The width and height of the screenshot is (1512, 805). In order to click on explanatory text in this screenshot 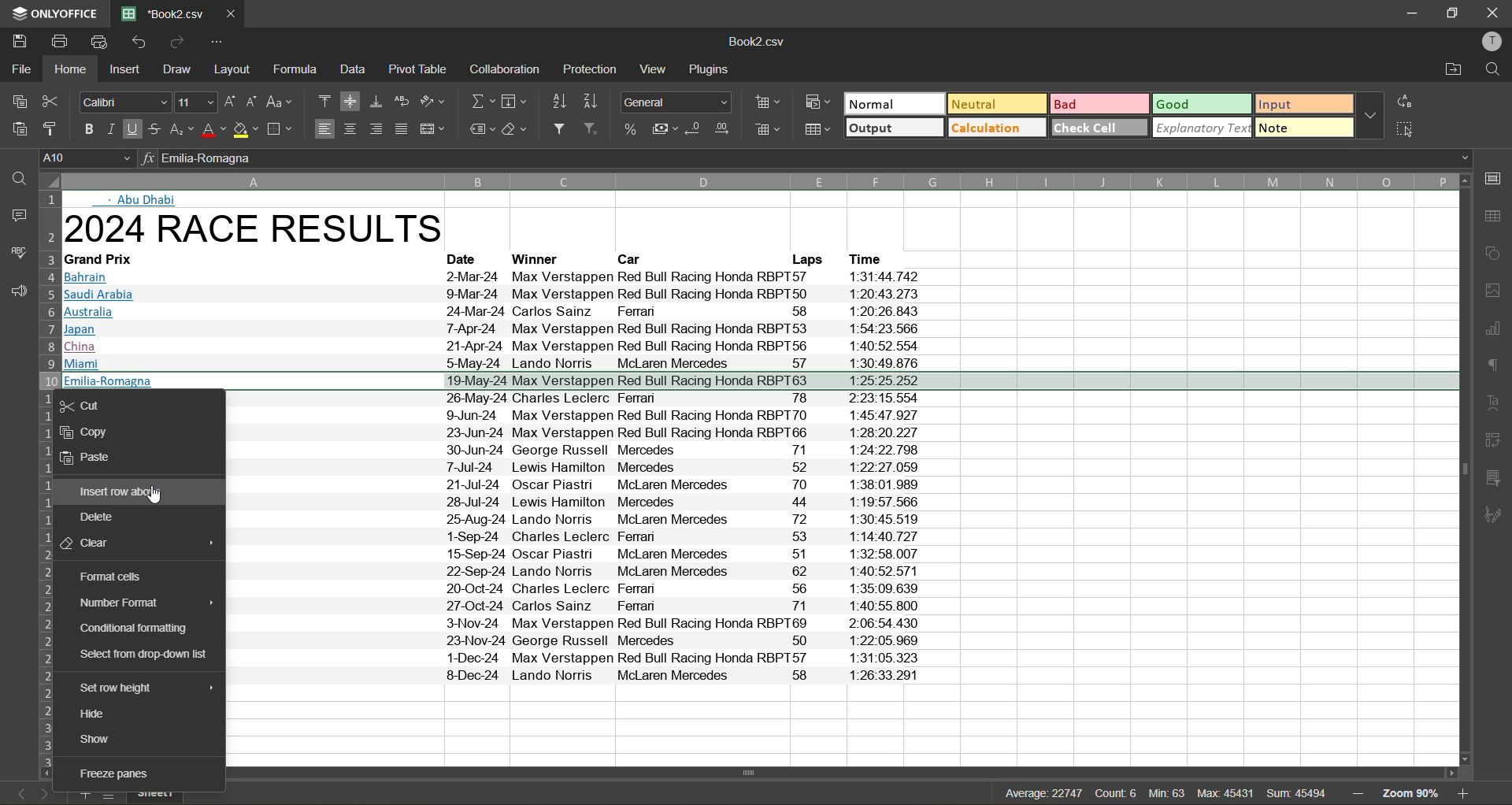, I will do `click(1202, 128)`.